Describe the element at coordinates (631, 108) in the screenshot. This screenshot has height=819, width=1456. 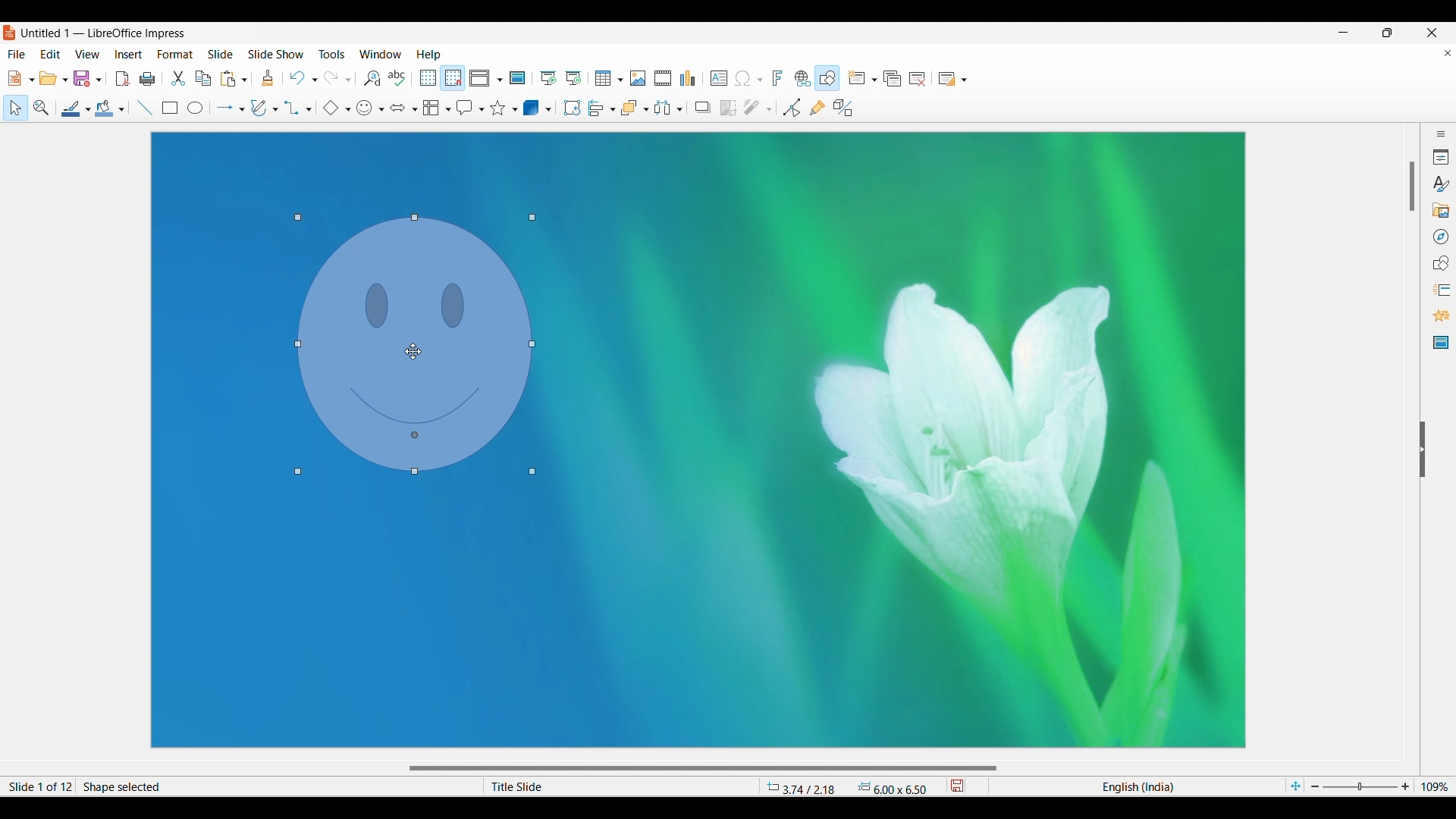
I see `Selected arrangement` at that location.